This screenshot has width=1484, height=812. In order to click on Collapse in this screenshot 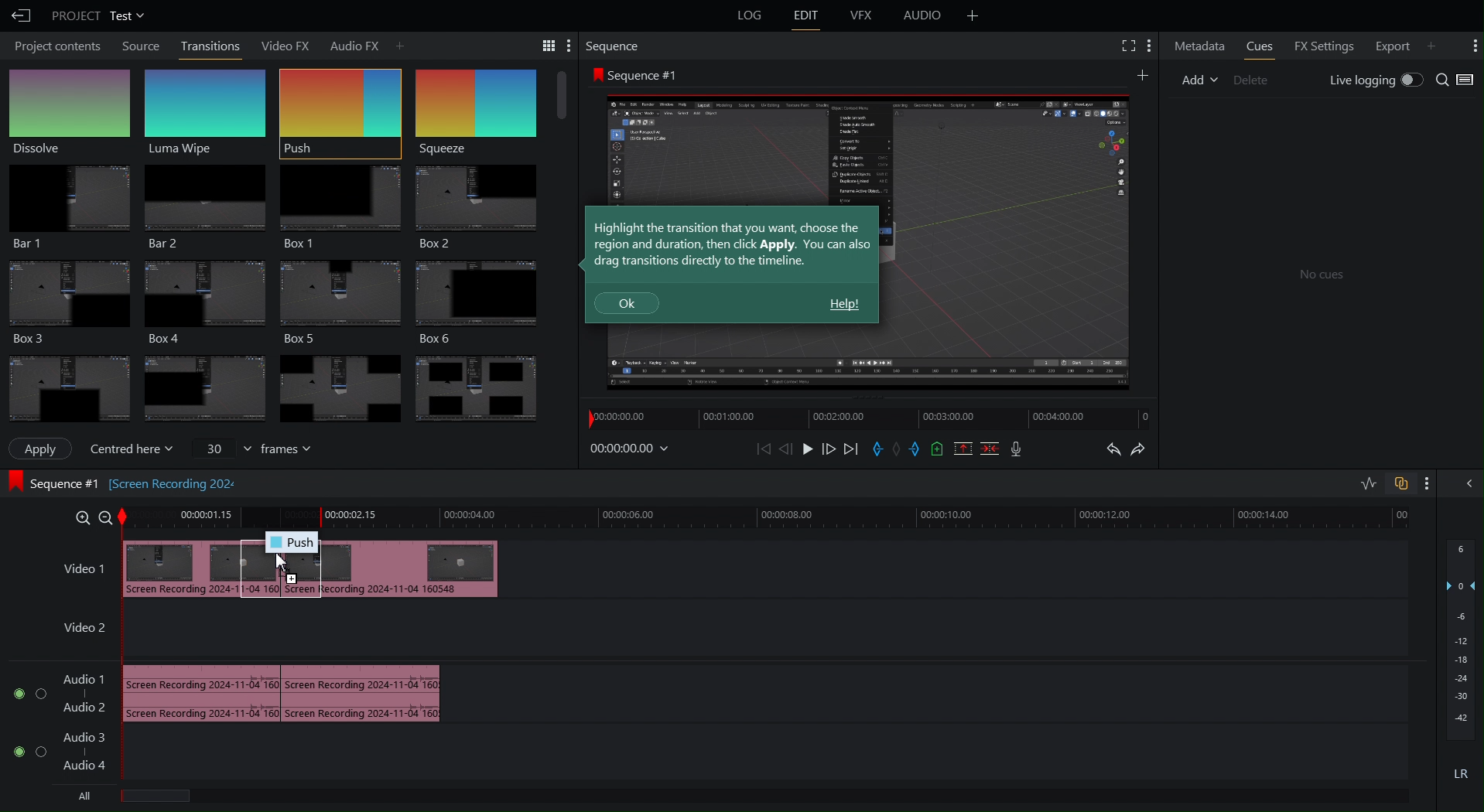, I will do `click(1467, 483)`.